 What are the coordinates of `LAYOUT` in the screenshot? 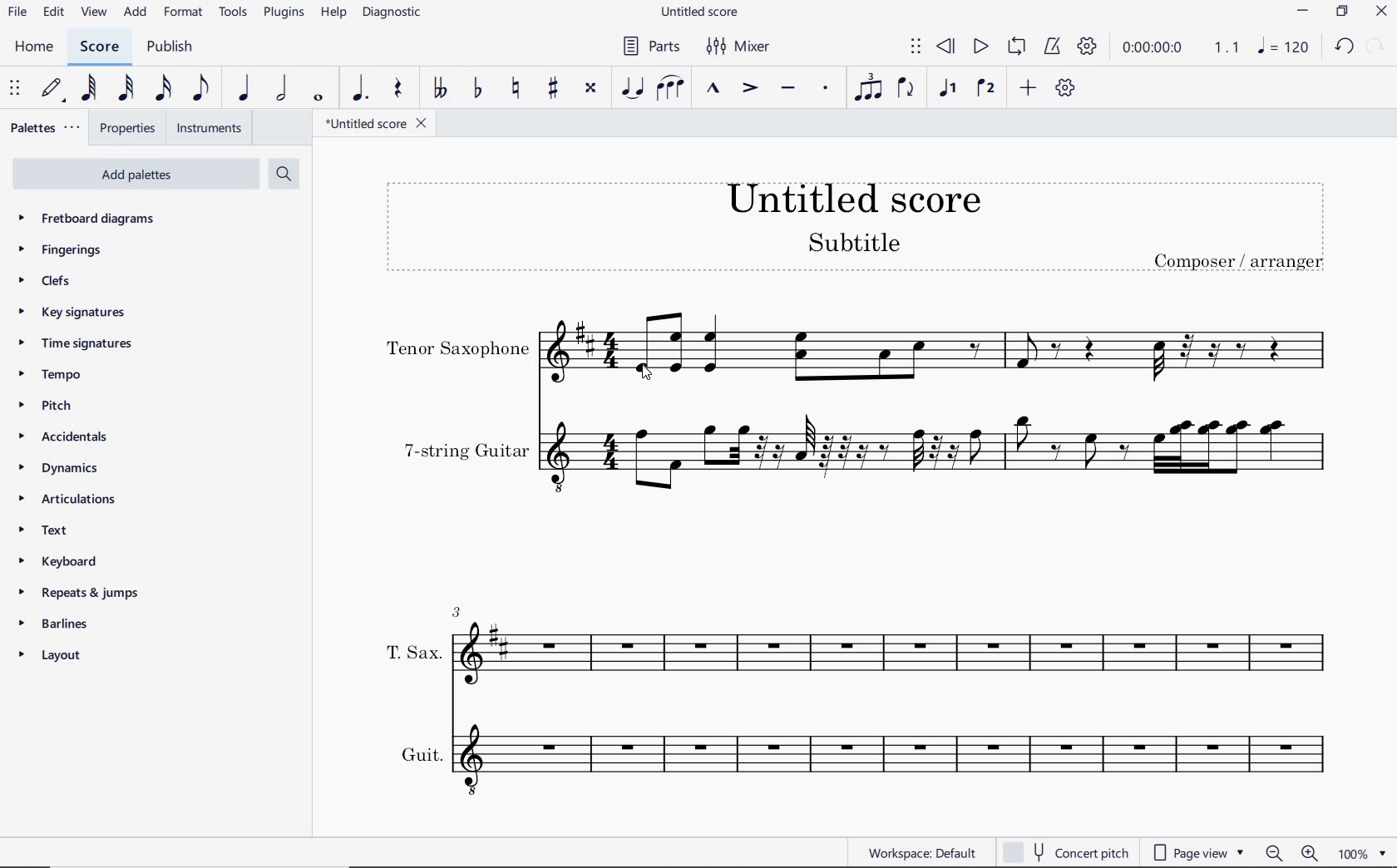 It's located at (49, 657).